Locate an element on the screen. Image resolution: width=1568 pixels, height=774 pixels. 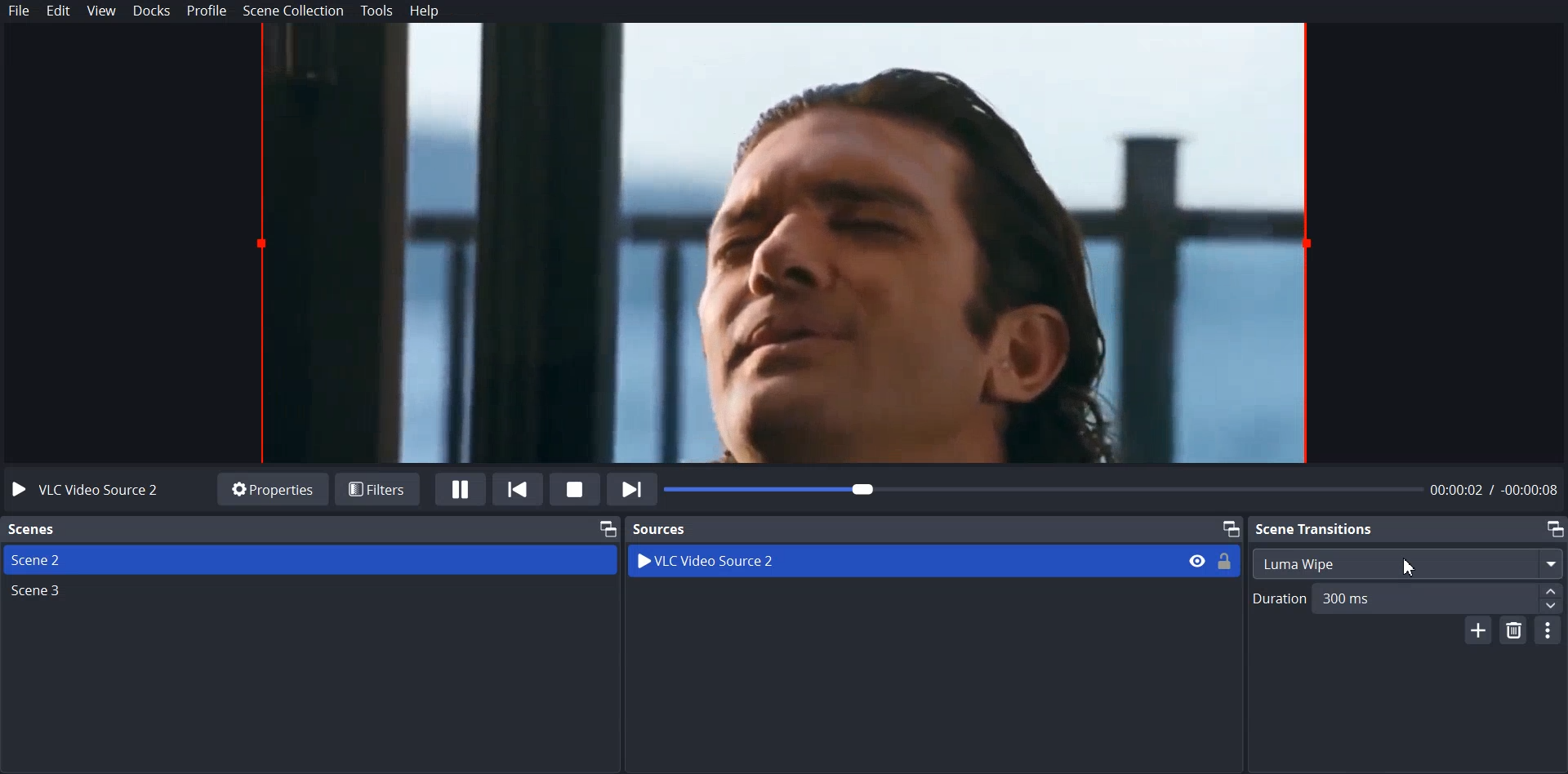
Previously Playlist is located at coordinates (519, 488).